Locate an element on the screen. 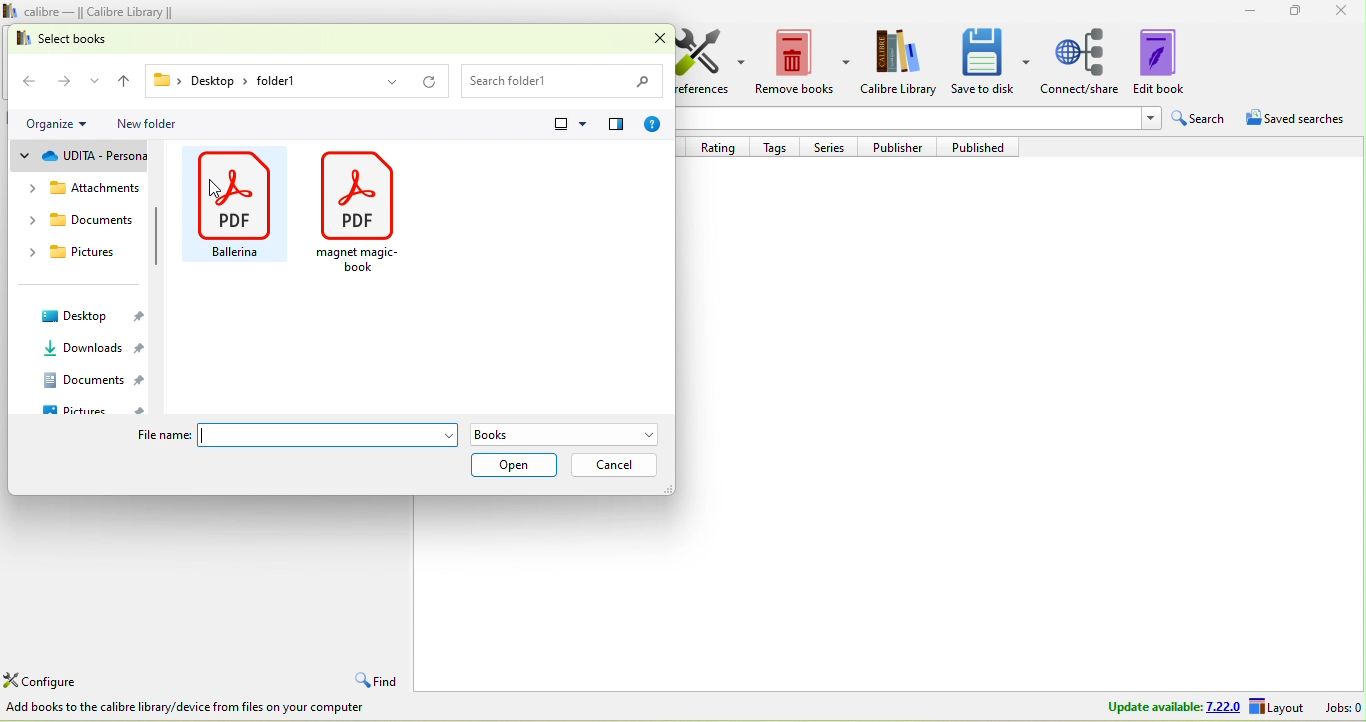  tags is located at coordinates (781, 147).